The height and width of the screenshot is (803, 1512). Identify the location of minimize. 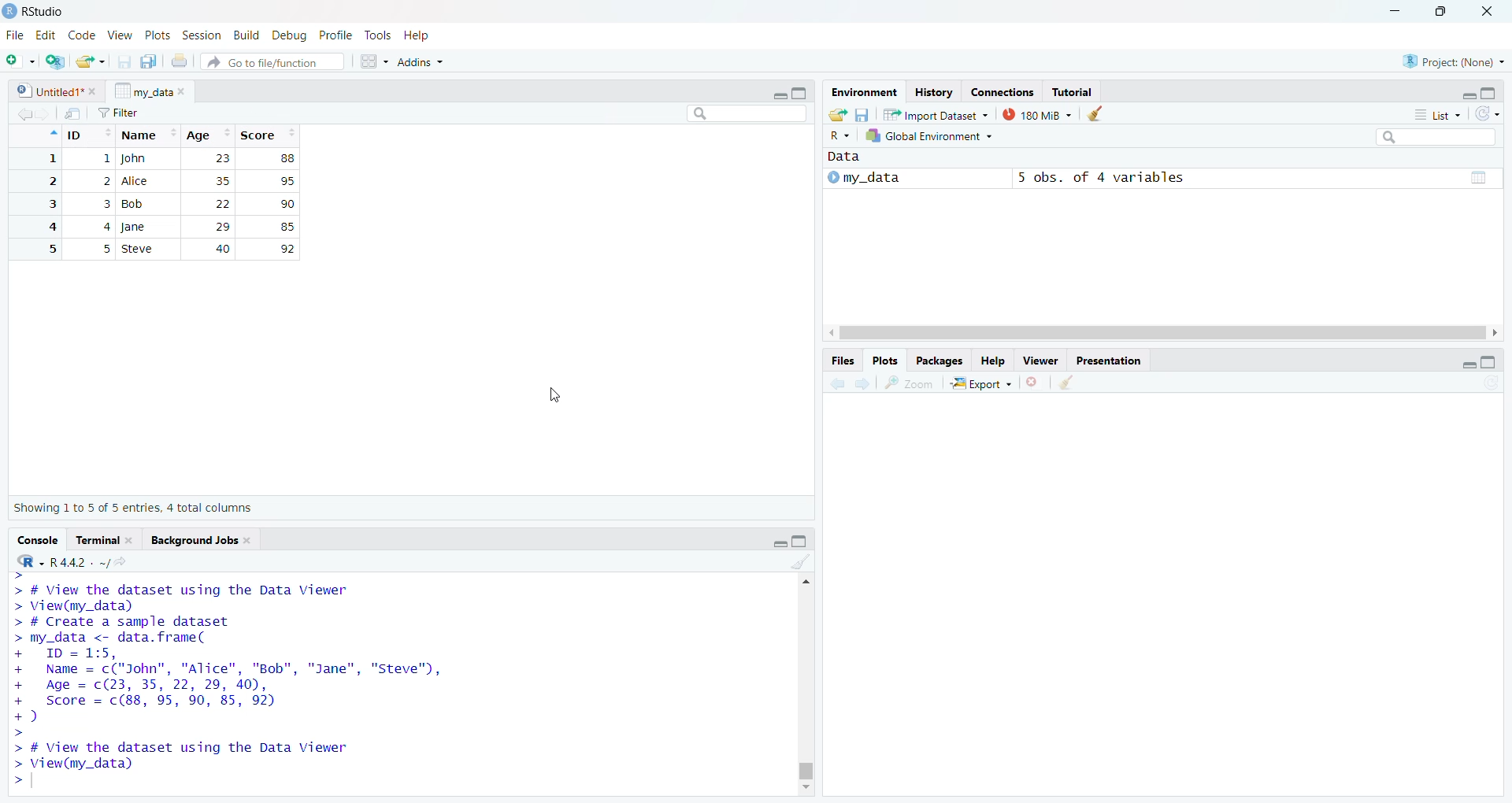
(1469, 364).